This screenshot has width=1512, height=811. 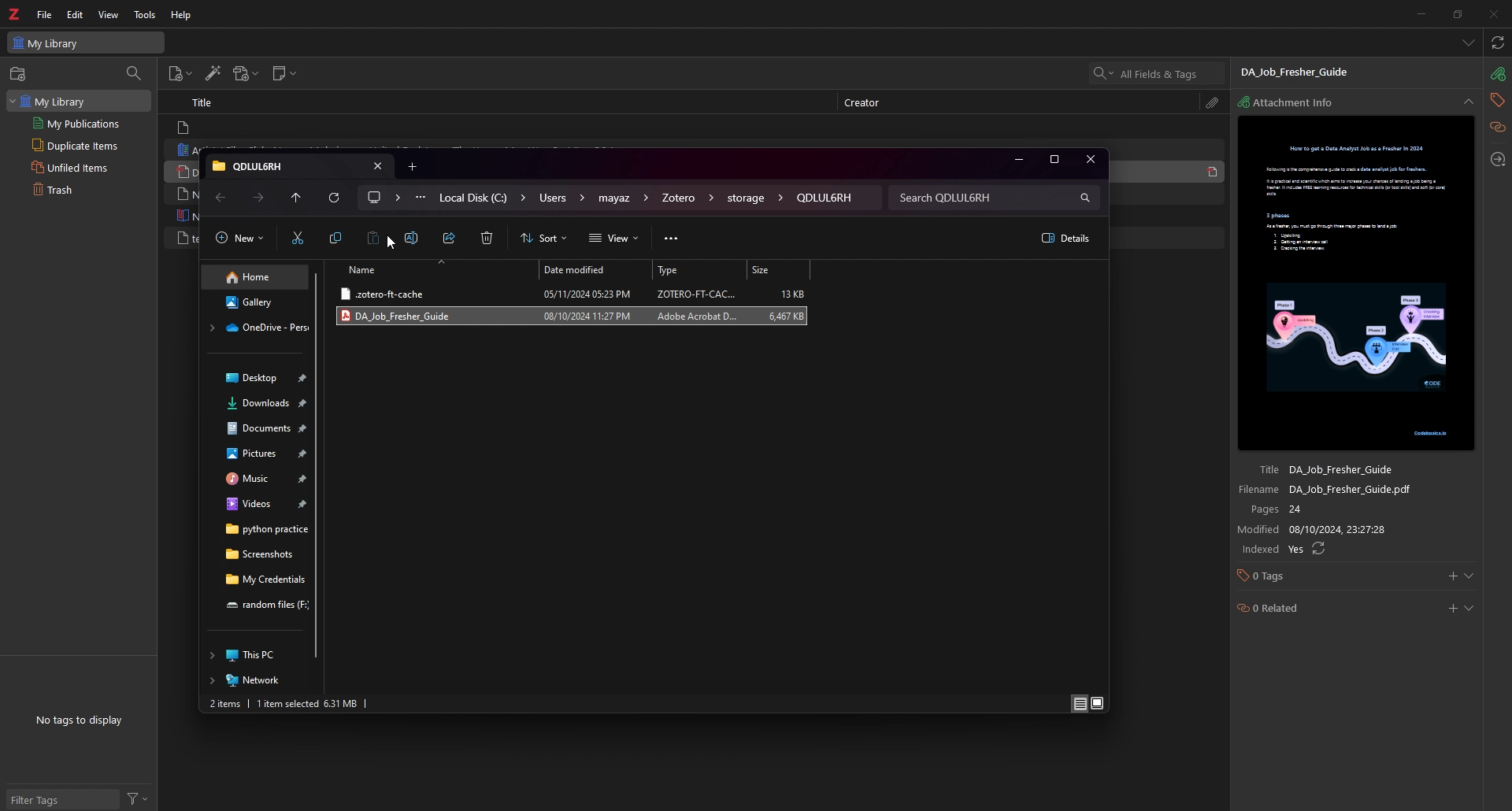 What do you see at coordinates (221, 198) in the screenshot?
I see `back` at bounding box center [221, 198].